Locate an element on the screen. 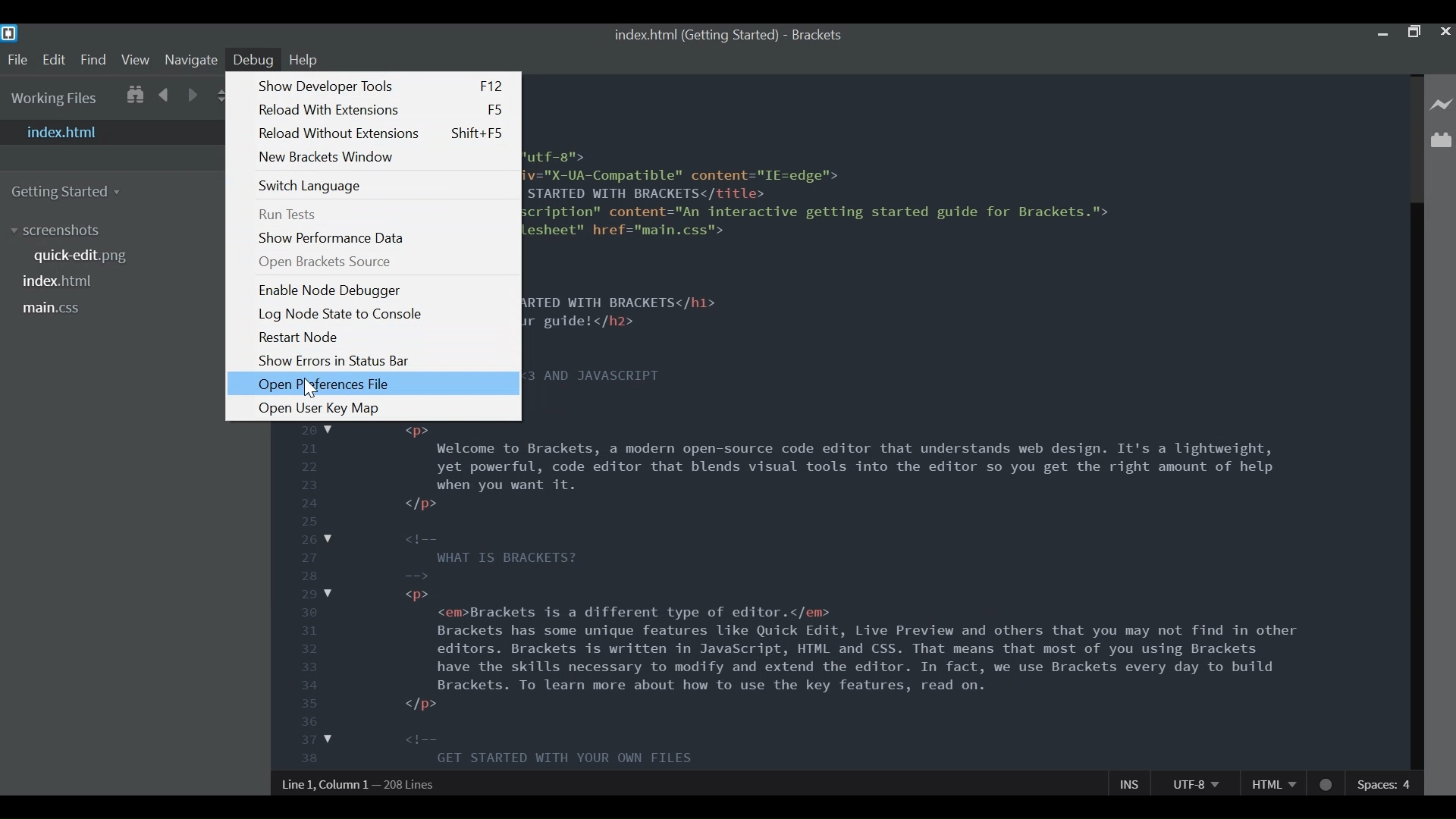 The height and width of the screenshot is (819, 1456). UTF-8 is located at coordinates (1193, 783).